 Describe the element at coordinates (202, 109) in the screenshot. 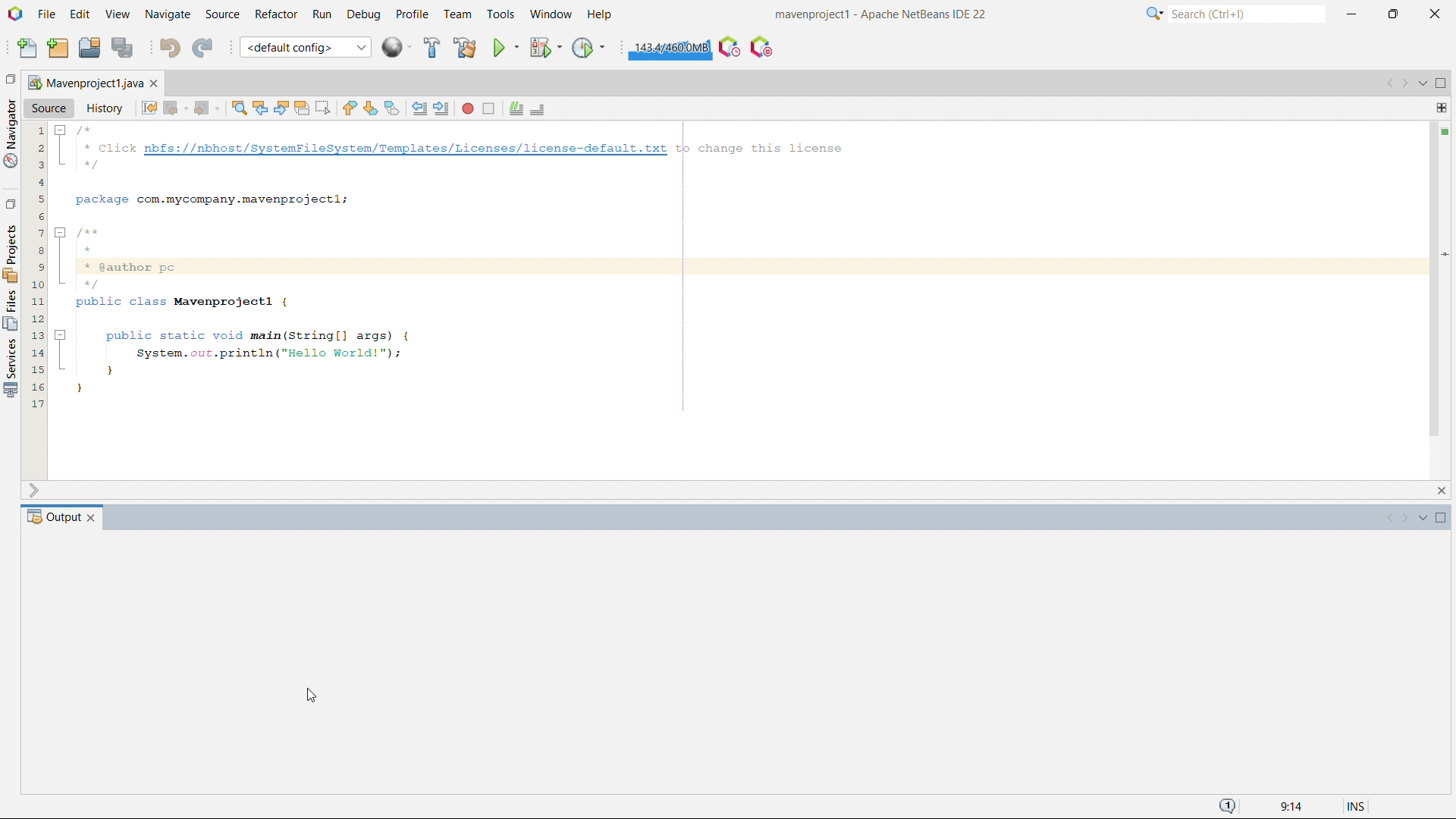

I see `forward ` at that location.